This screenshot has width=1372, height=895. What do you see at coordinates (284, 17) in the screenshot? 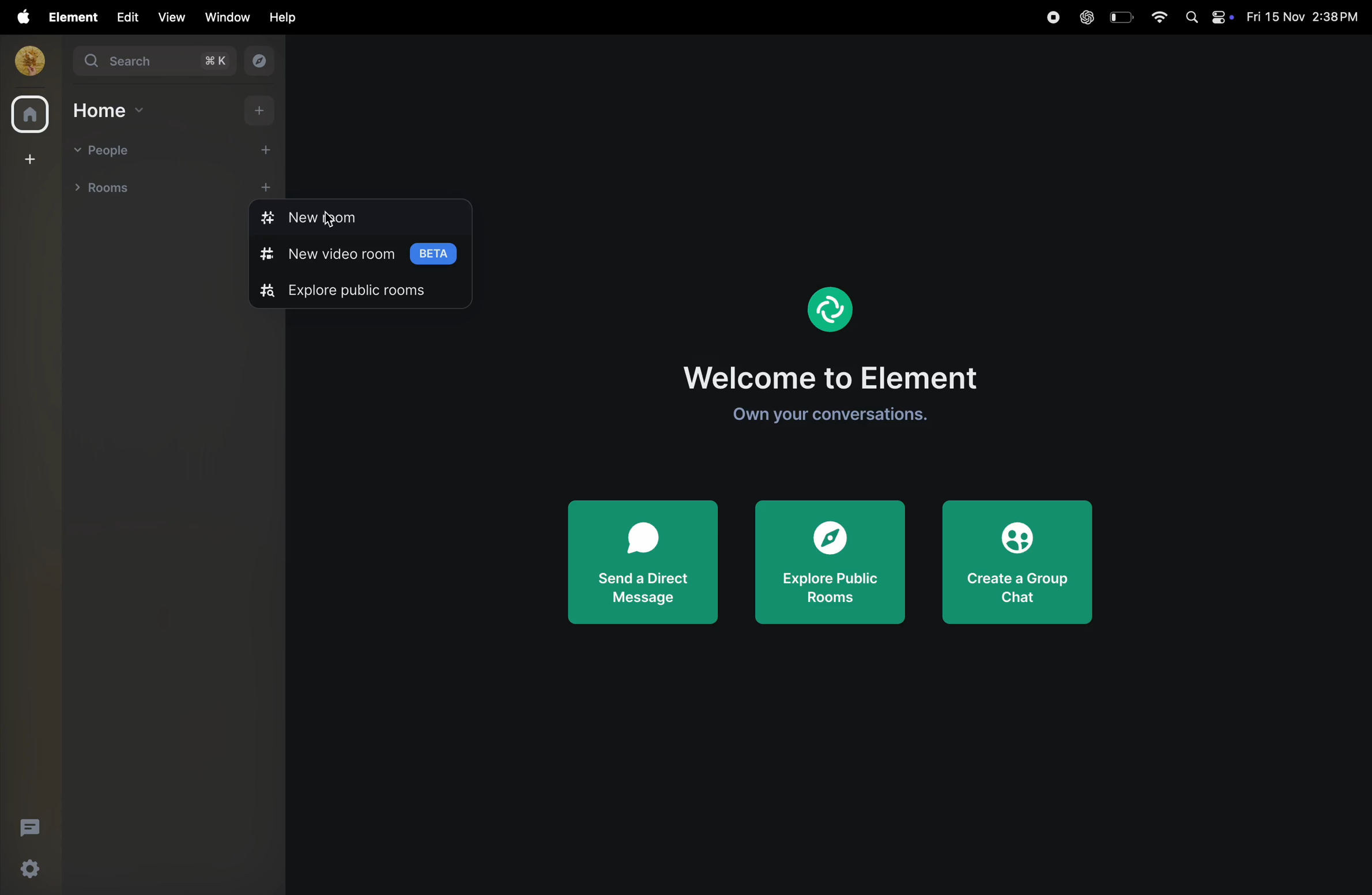
I see `help` at bounding box center [284, 17].